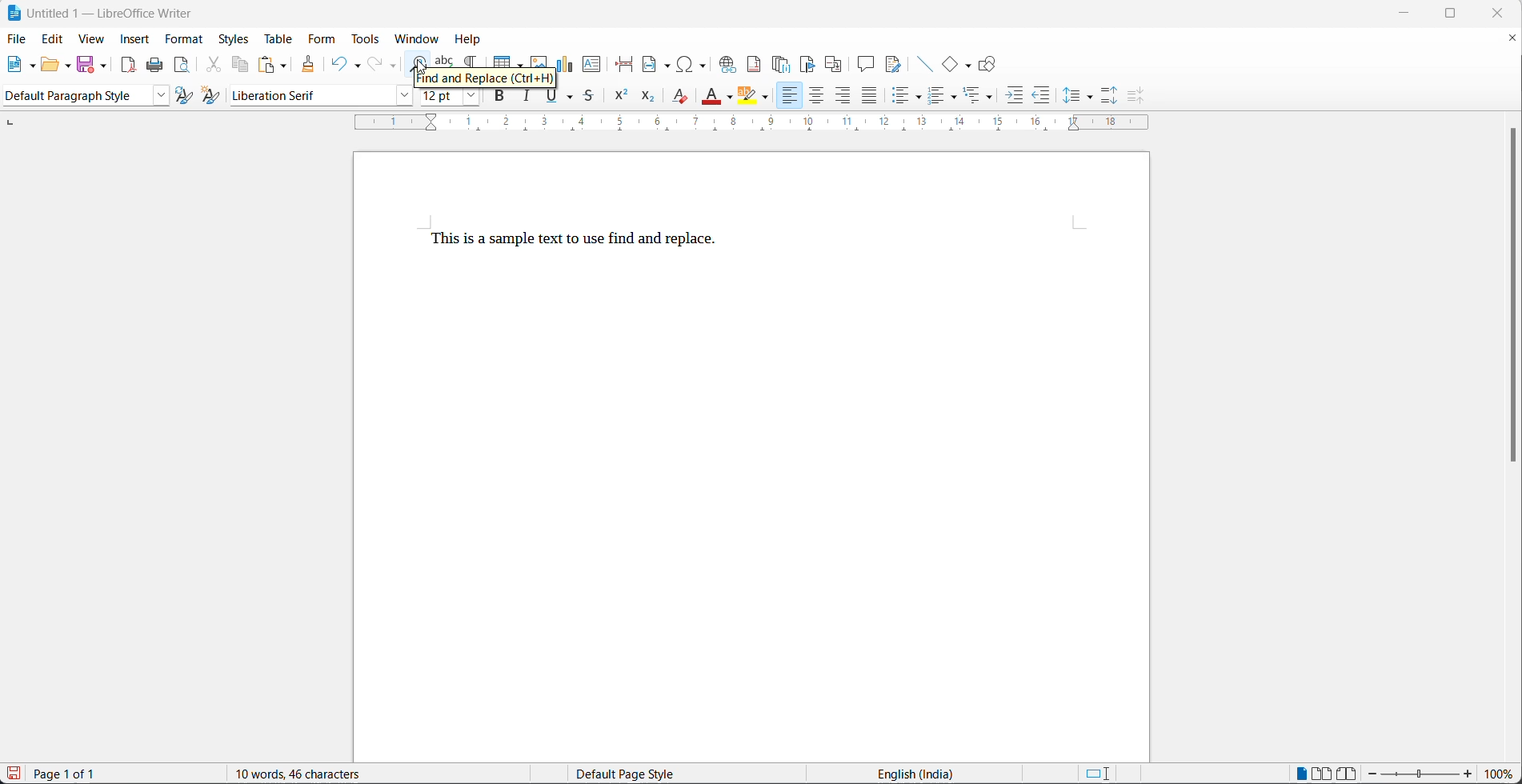 This screenshot has height=784, width=1522. What do you see at coordinates (1502, 774) in the screenshot?
I see `zoom percentage` at bounding box center [1502, 774].